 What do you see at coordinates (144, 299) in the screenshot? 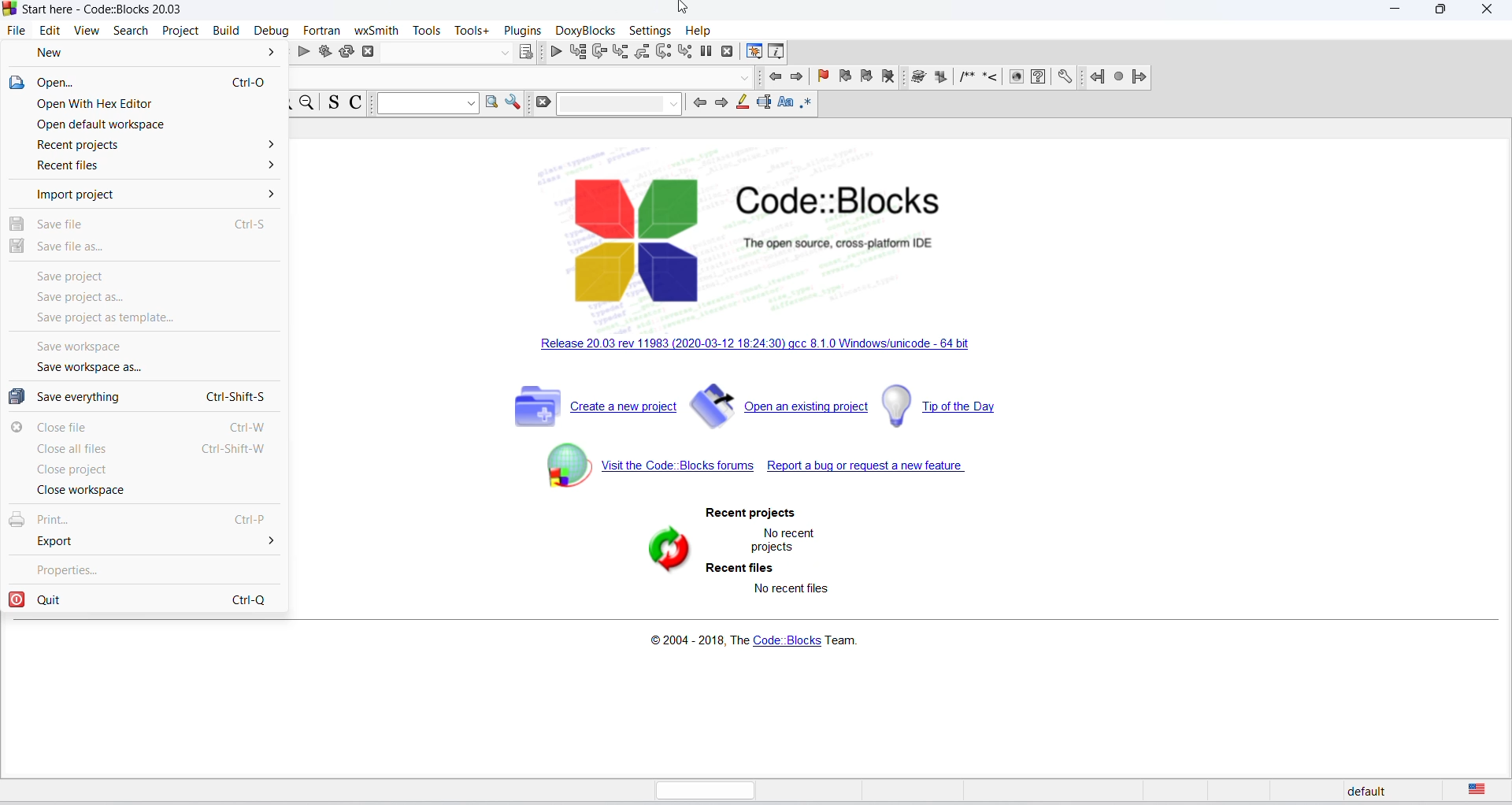
I see `save project as` at bounding box center [144, 299].